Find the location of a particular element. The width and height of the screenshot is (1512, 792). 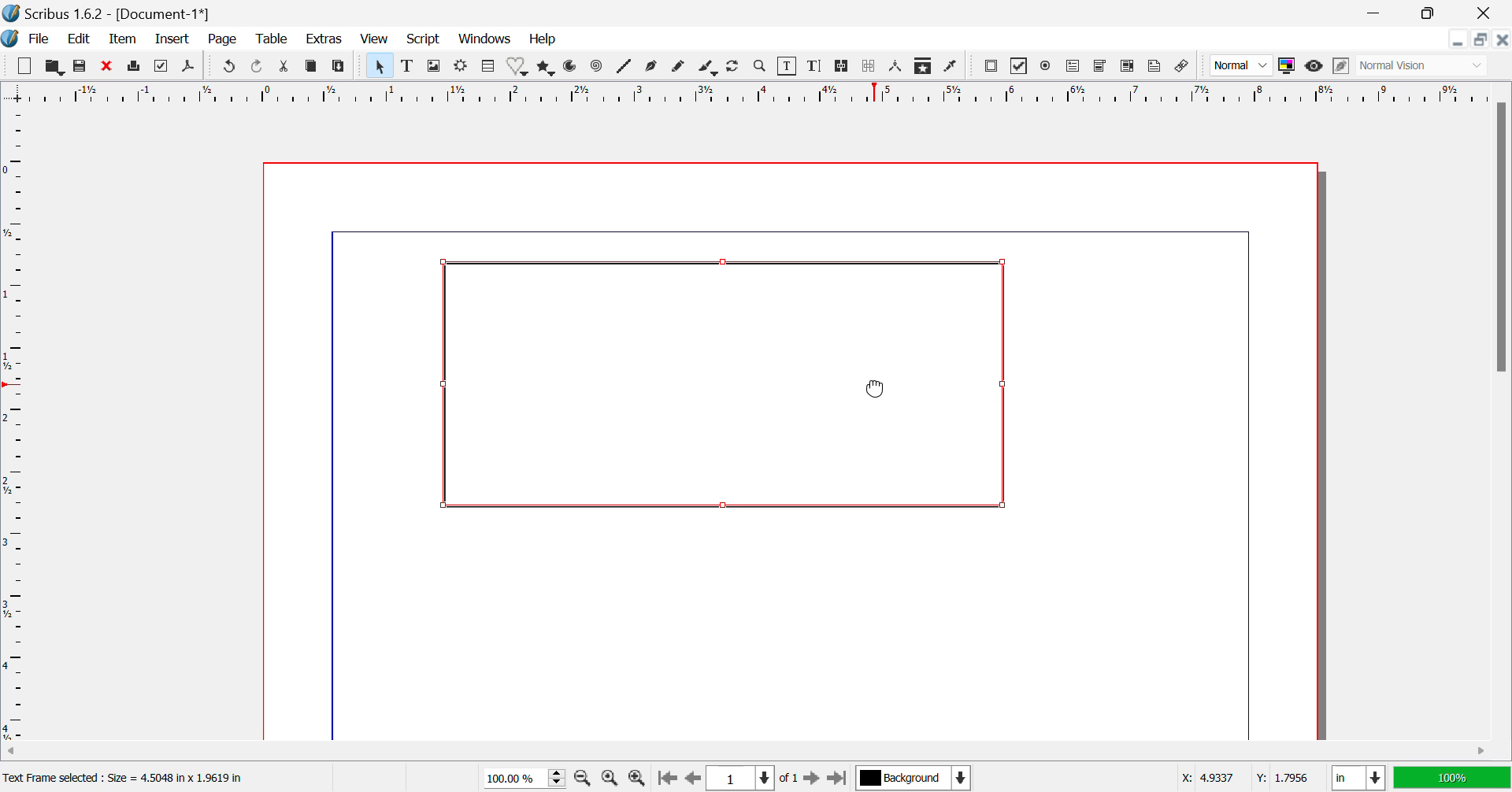

Table is located at coordinates (272, 41).